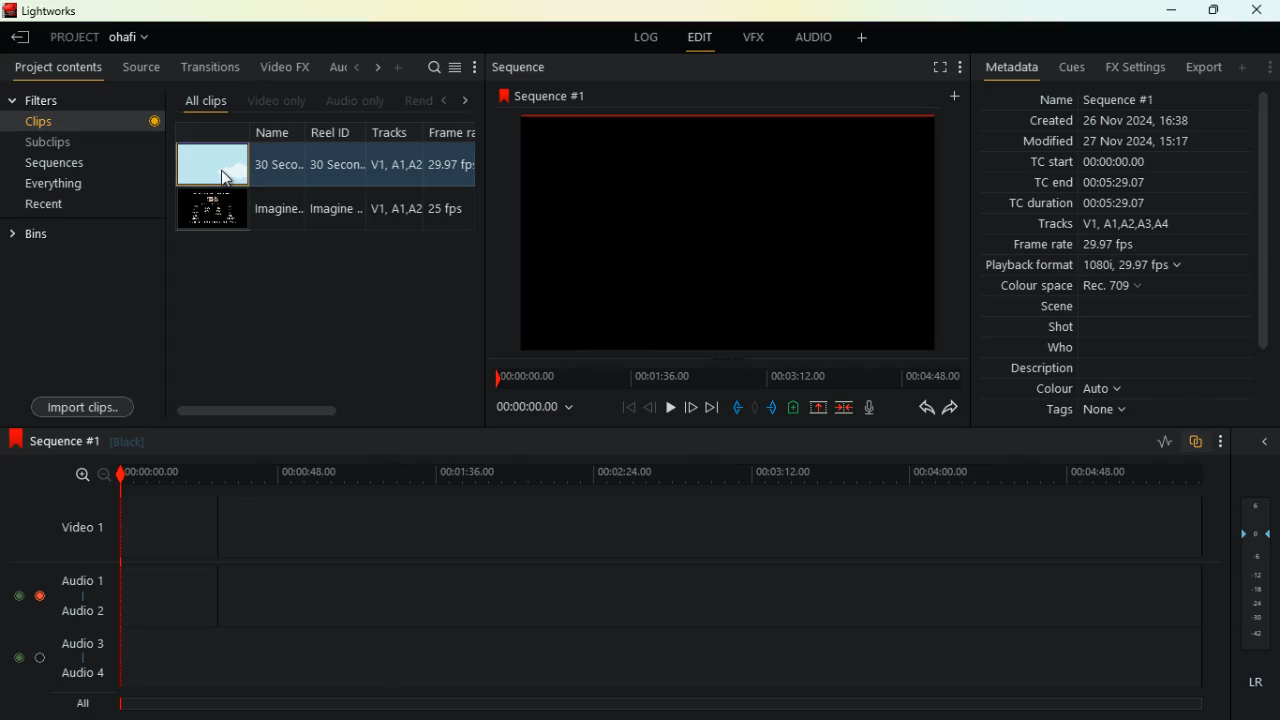 This screenshot has height=720, width=1280. I want to click on fullscreen, so click(930, 67).